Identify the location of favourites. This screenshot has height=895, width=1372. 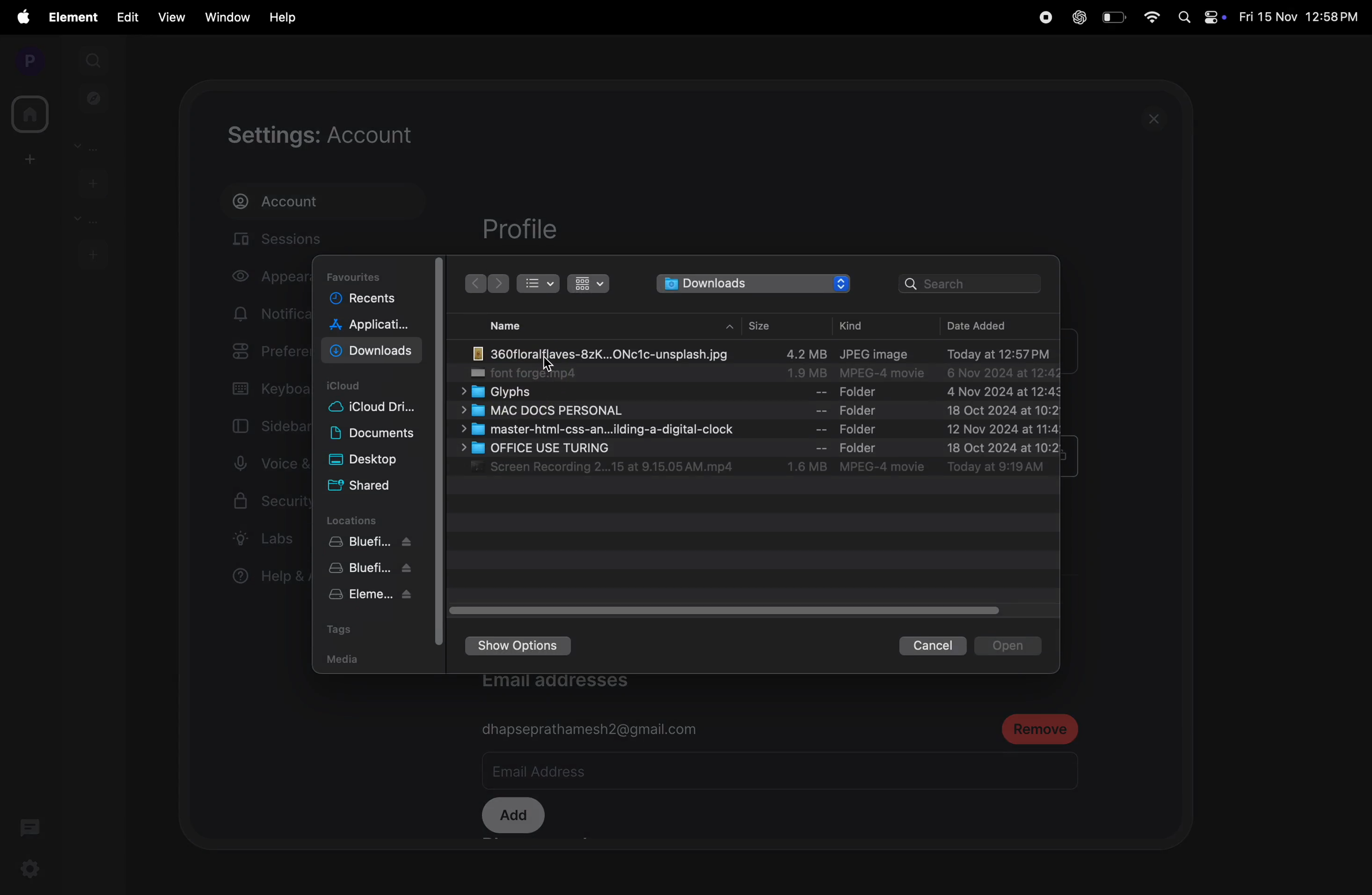
(367, 273).